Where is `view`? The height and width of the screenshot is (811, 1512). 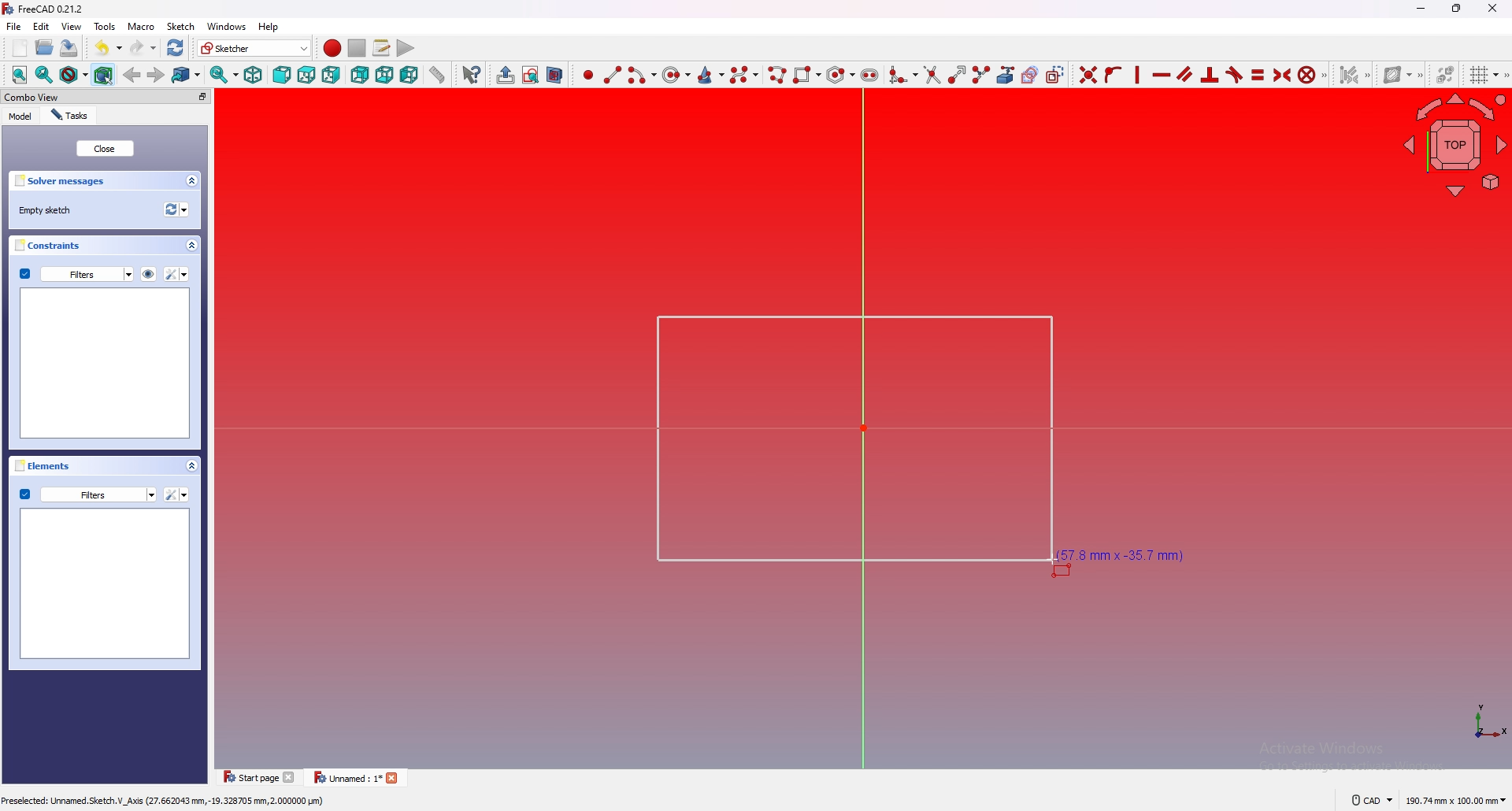 view is located at coordinates (72, 26).